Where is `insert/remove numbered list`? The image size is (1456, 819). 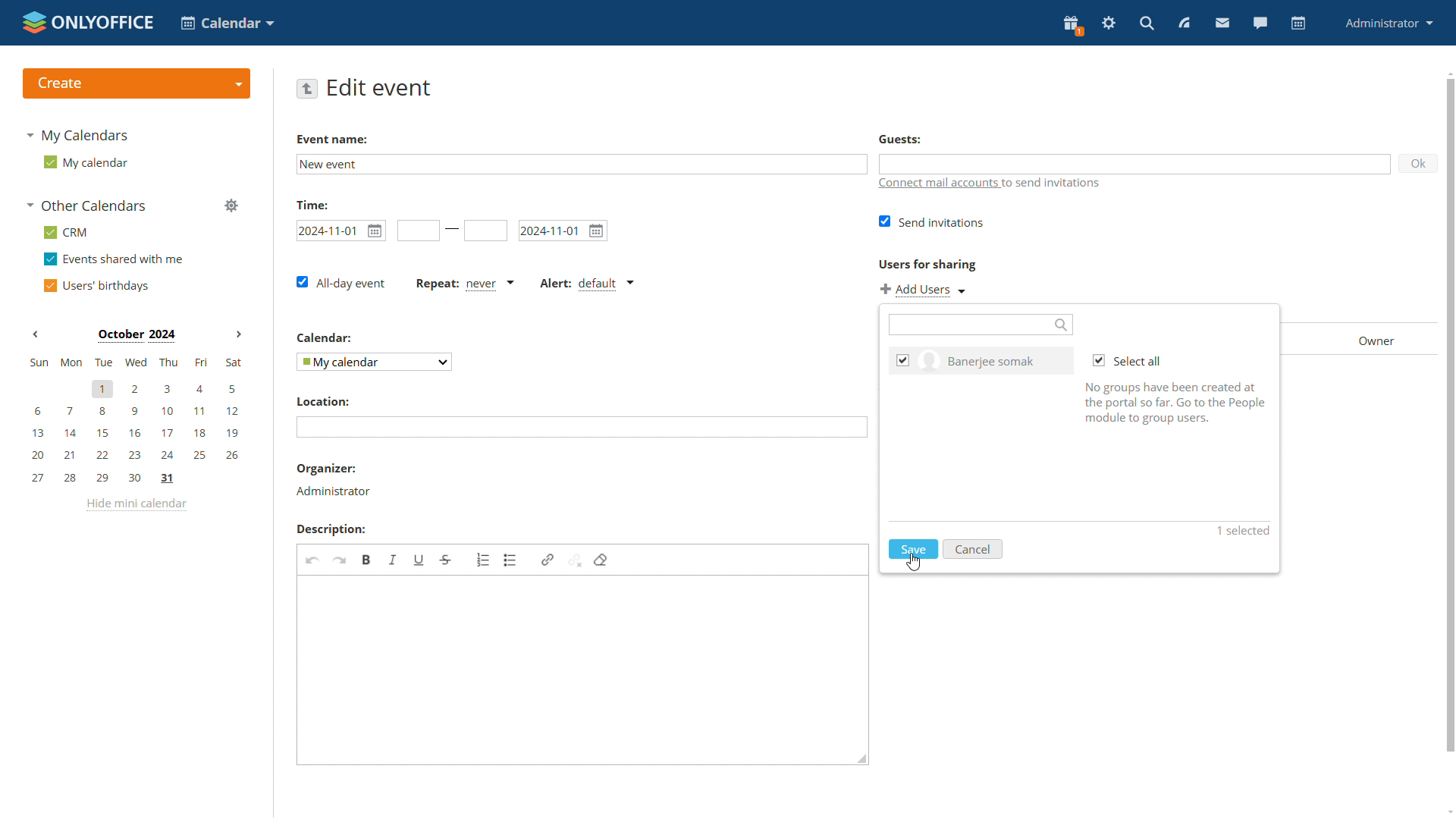
insert/remove numbered list is located at coordinates (484, 560).